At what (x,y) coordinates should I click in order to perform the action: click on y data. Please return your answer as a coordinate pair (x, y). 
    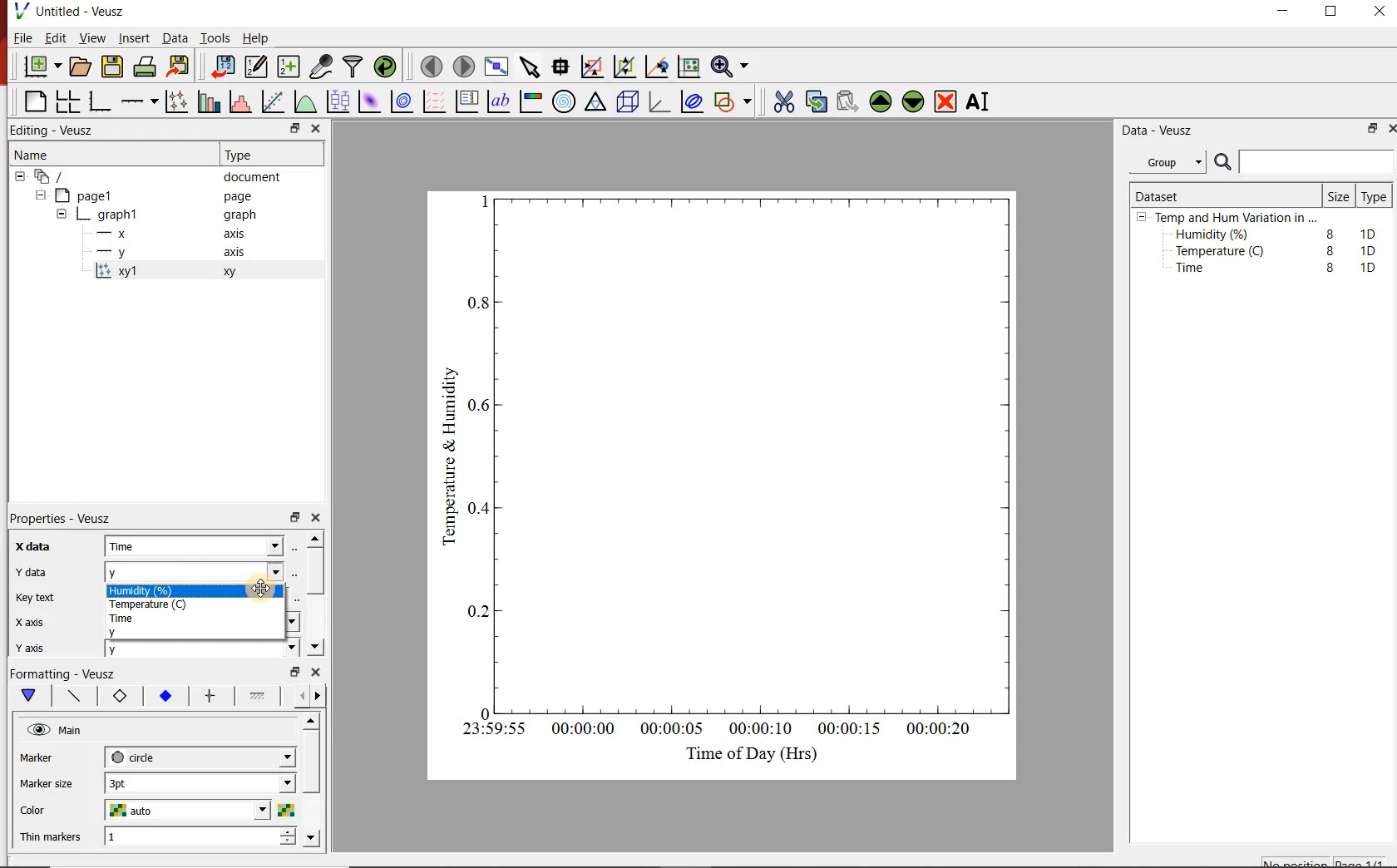
    Looking at the image, I should click on (37, 570).